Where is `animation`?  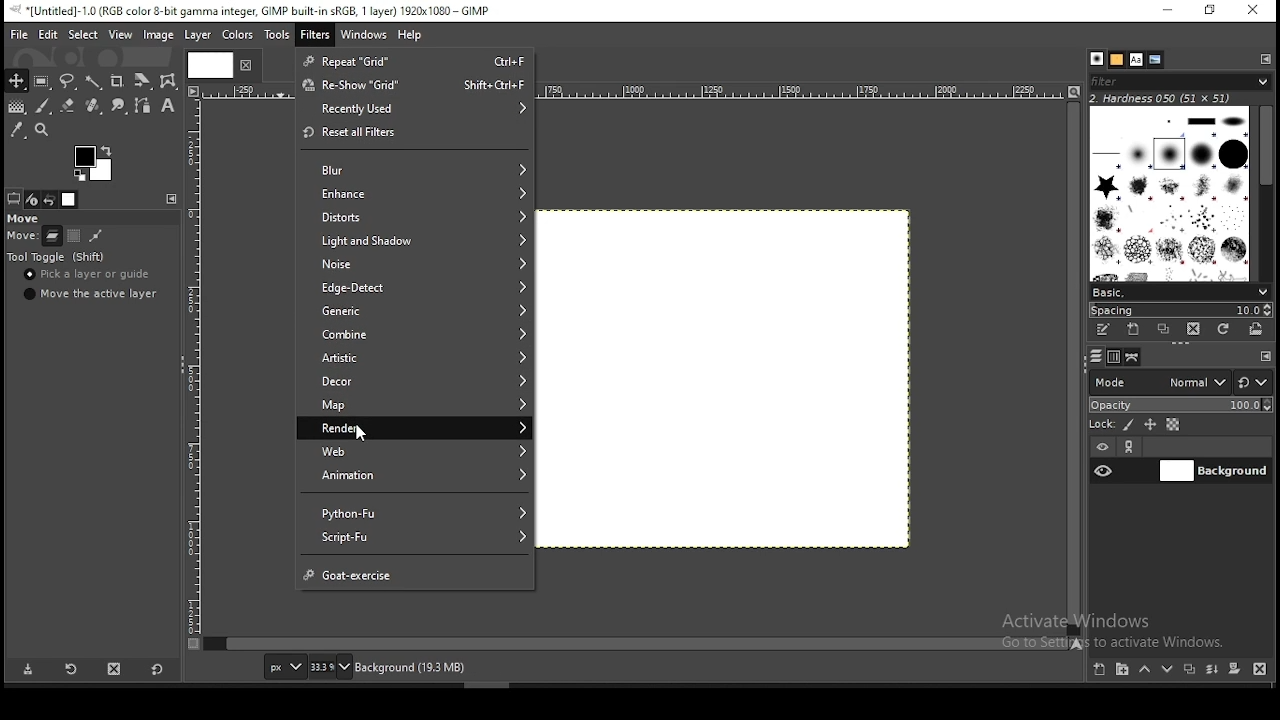 animation is located at coordinates (412, 476).